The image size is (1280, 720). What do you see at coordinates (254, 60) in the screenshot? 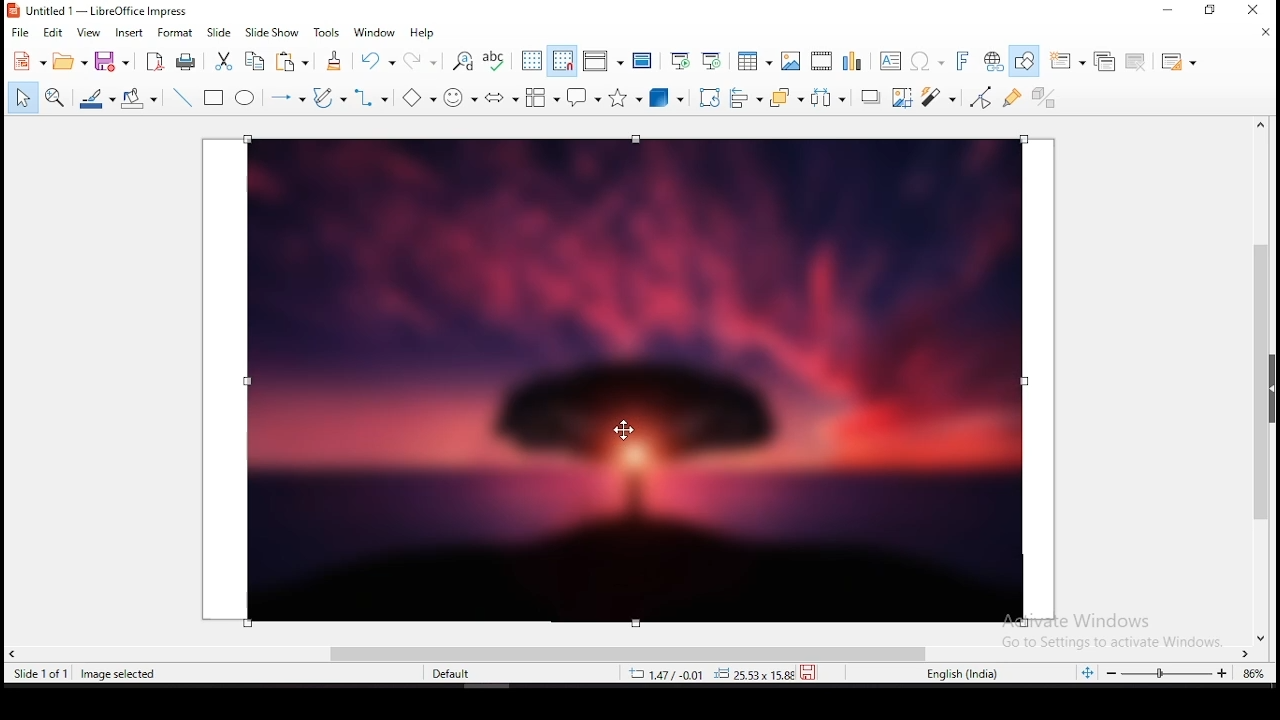
I see `copy` at bounding box center [254, 60].